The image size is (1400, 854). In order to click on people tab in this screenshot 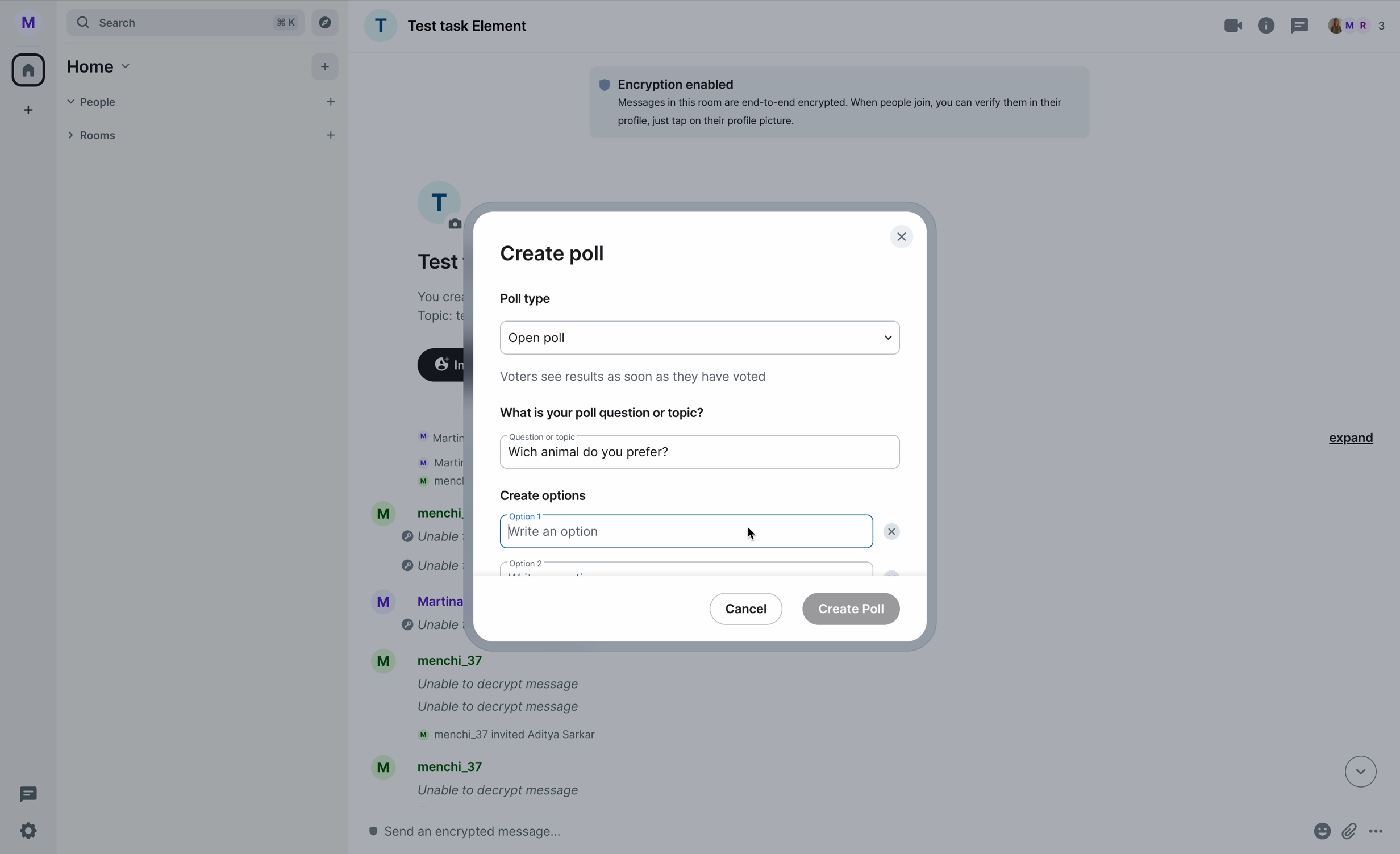, I will do `click(203, 102)`.